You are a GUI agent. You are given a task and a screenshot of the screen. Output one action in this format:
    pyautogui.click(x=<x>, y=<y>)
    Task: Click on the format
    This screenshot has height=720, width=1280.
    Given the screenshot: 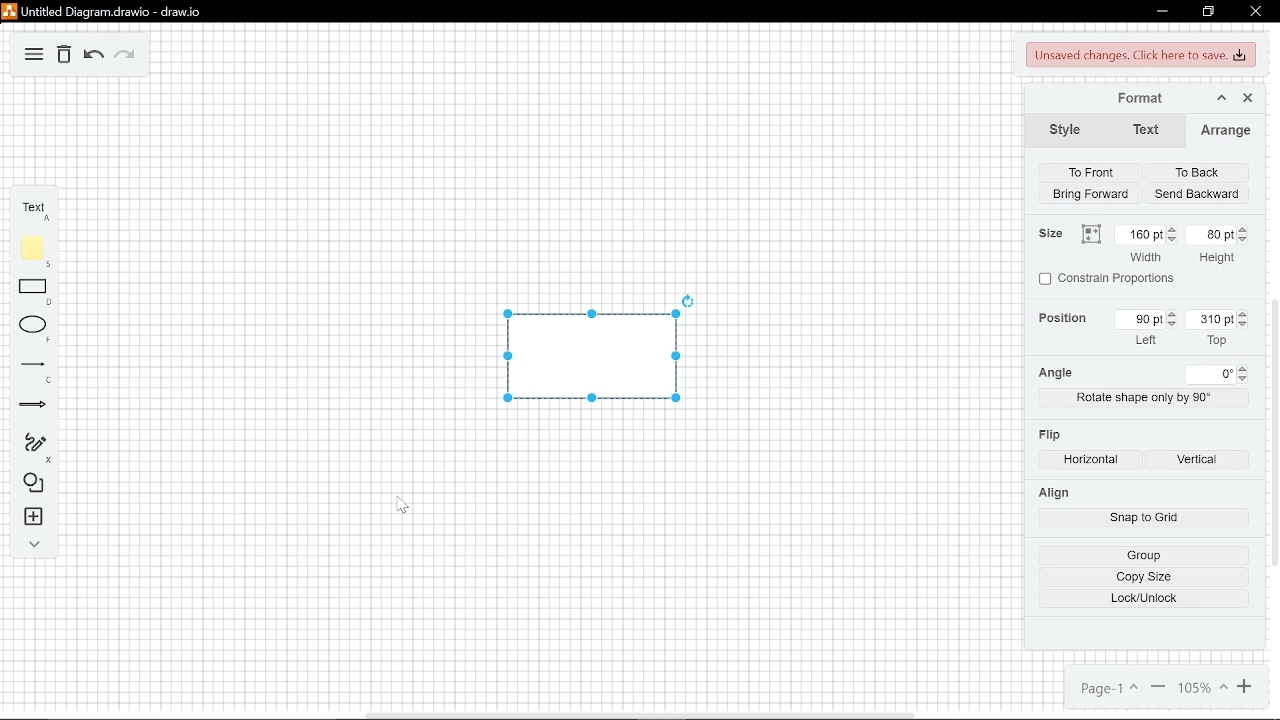 What is the action you would take?
    pyautogui.click(x=1132, y=100)
    